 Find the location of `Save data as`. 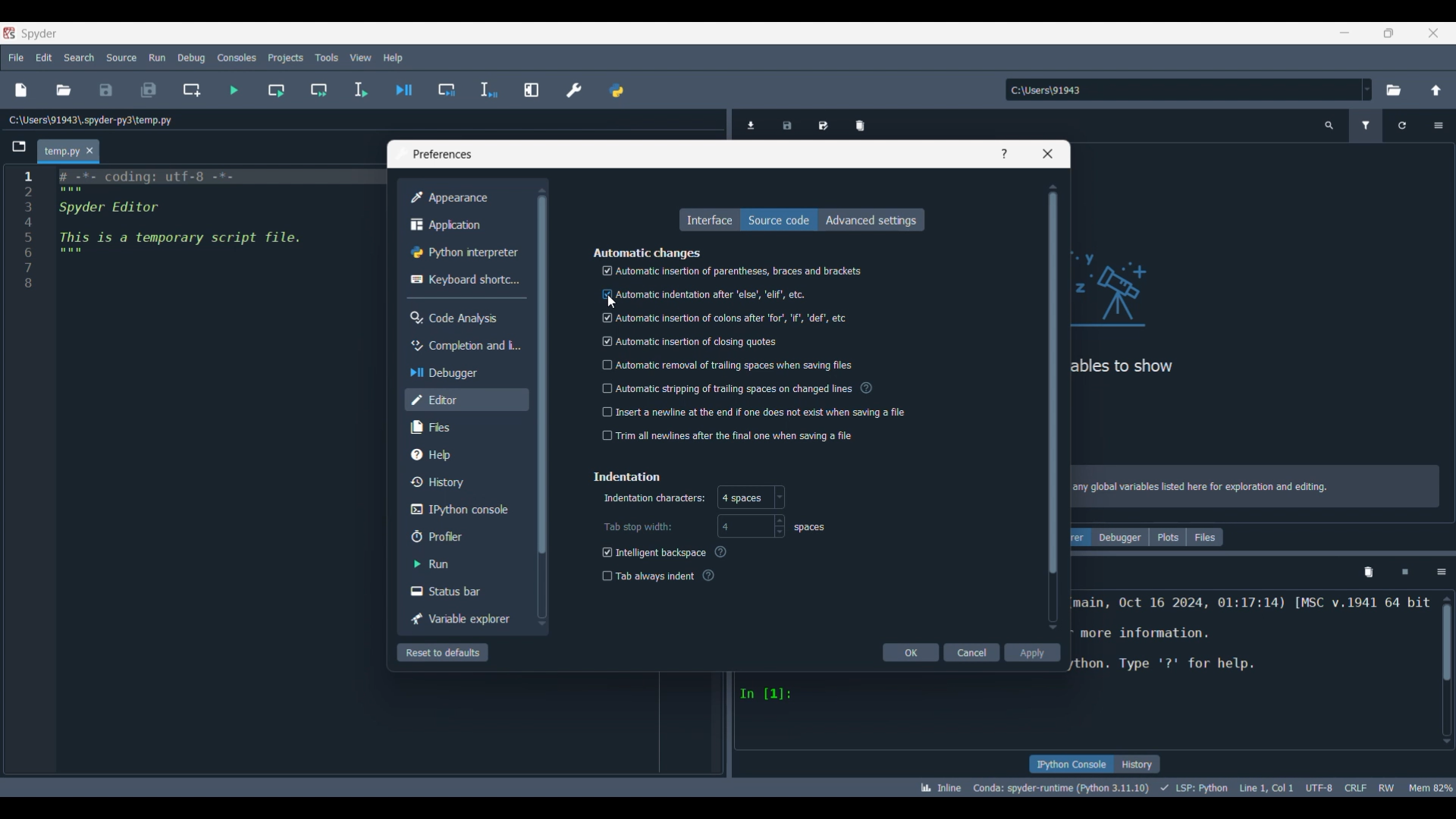

Save data as is located at coordinates (824, 124).